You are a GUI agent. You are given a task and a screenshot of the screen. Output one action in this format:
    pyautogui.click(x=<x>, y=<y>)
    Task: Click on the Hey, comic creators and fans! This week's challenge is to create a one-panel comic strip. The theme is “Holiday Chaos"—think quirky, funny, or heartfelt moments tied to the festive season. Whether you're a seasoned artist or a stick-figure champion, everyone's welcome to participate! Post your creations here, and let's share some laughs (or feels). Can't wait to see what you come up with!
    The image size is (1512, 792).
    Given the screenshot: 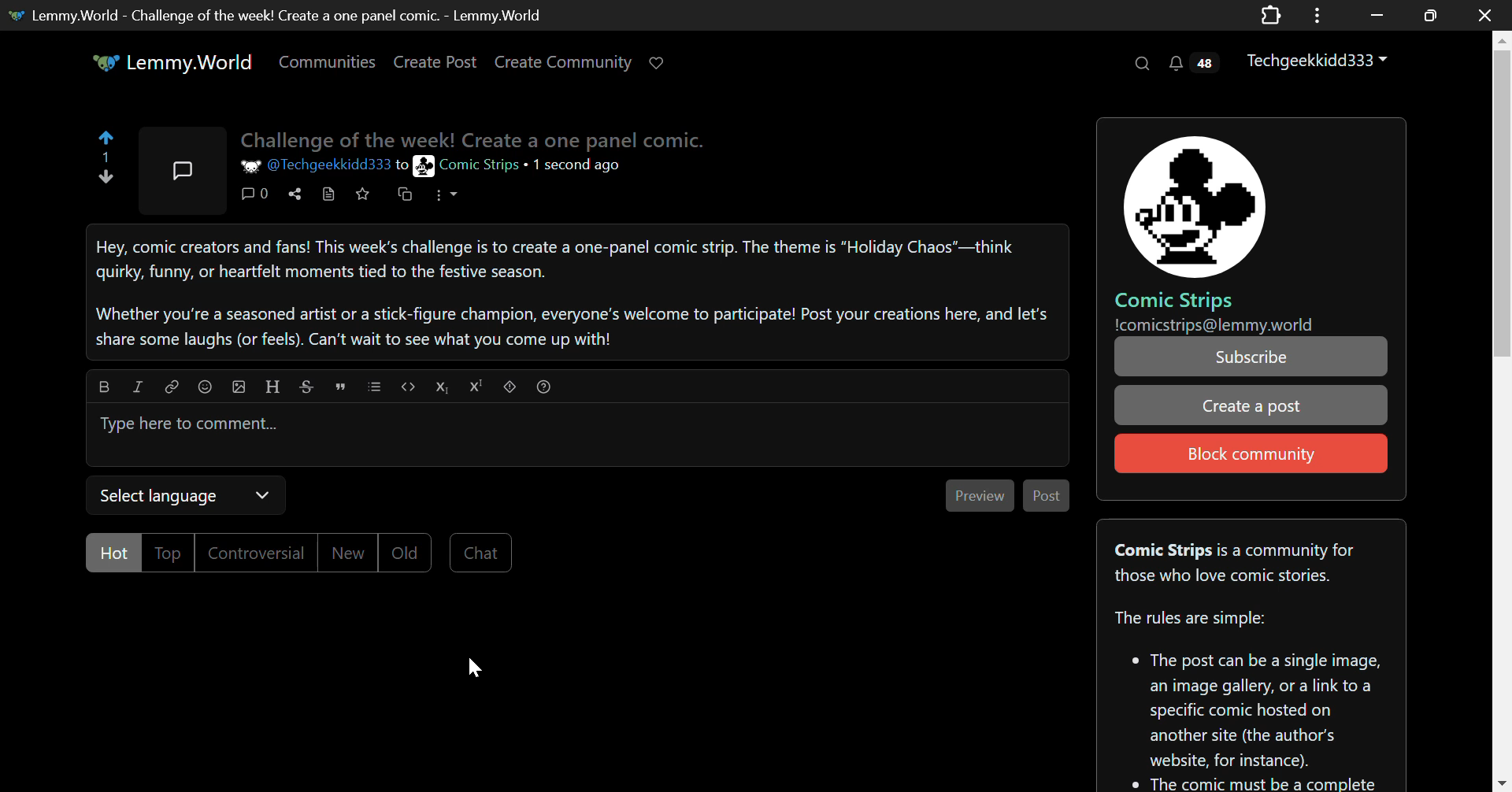 What is the action you would take?
    pyautogui.click(x=573, y=292)
    